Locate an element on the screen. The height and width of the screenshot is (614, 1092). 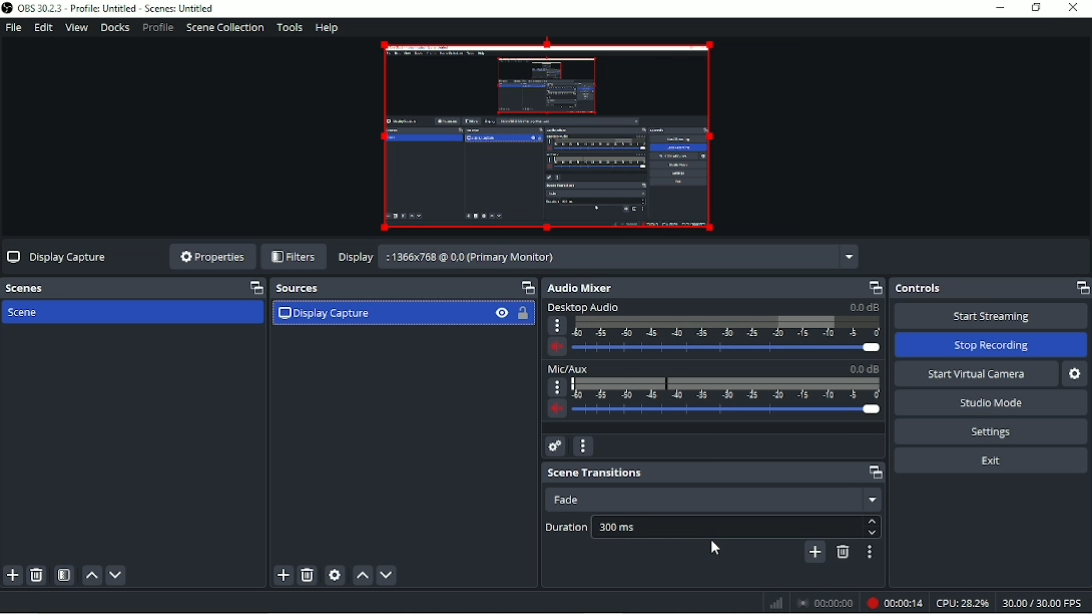
Add source is located at coordinates (285, 576).